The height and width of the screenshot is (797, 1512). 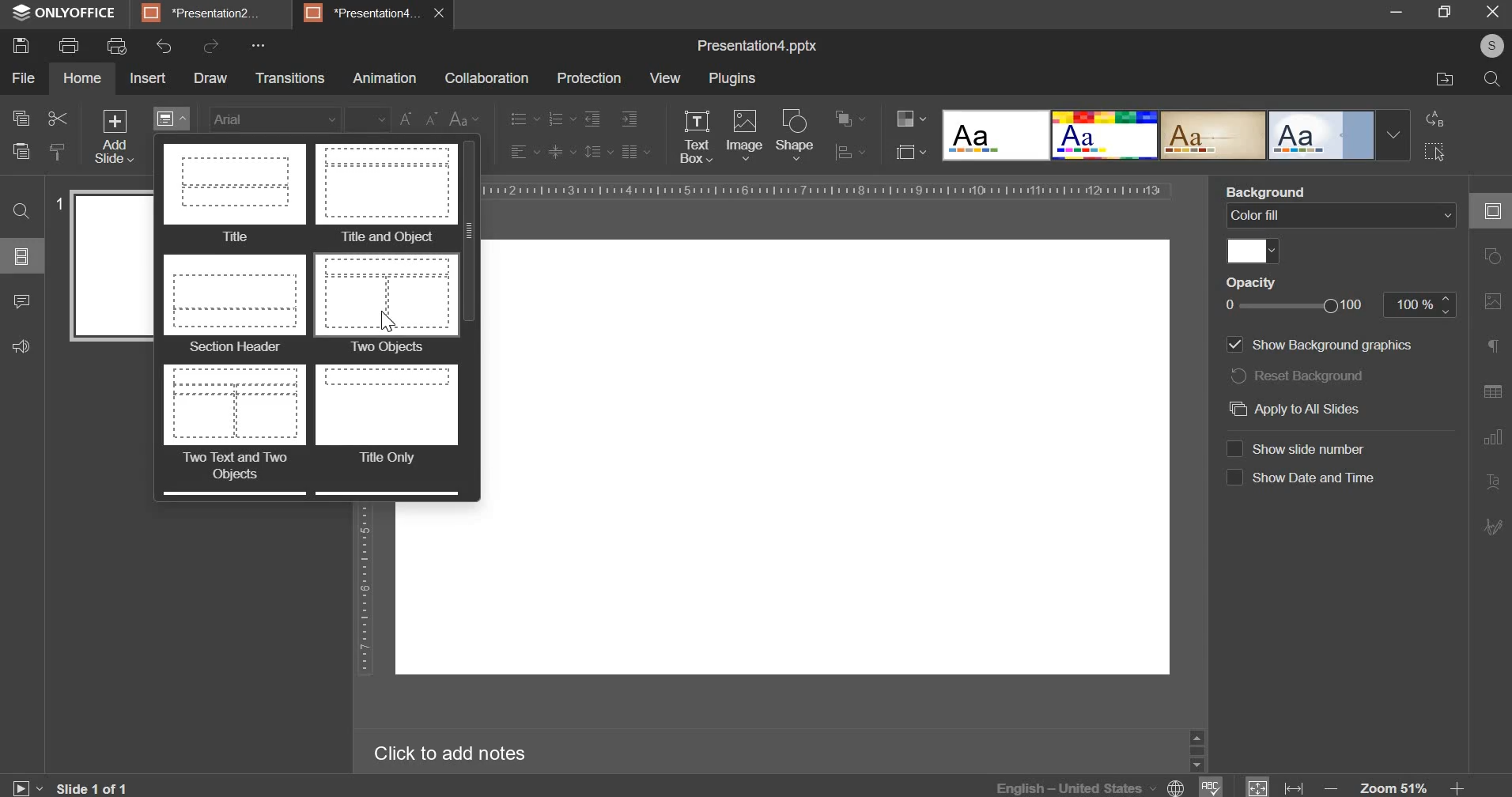 I want to click on background, so click(x=1269, y=192).